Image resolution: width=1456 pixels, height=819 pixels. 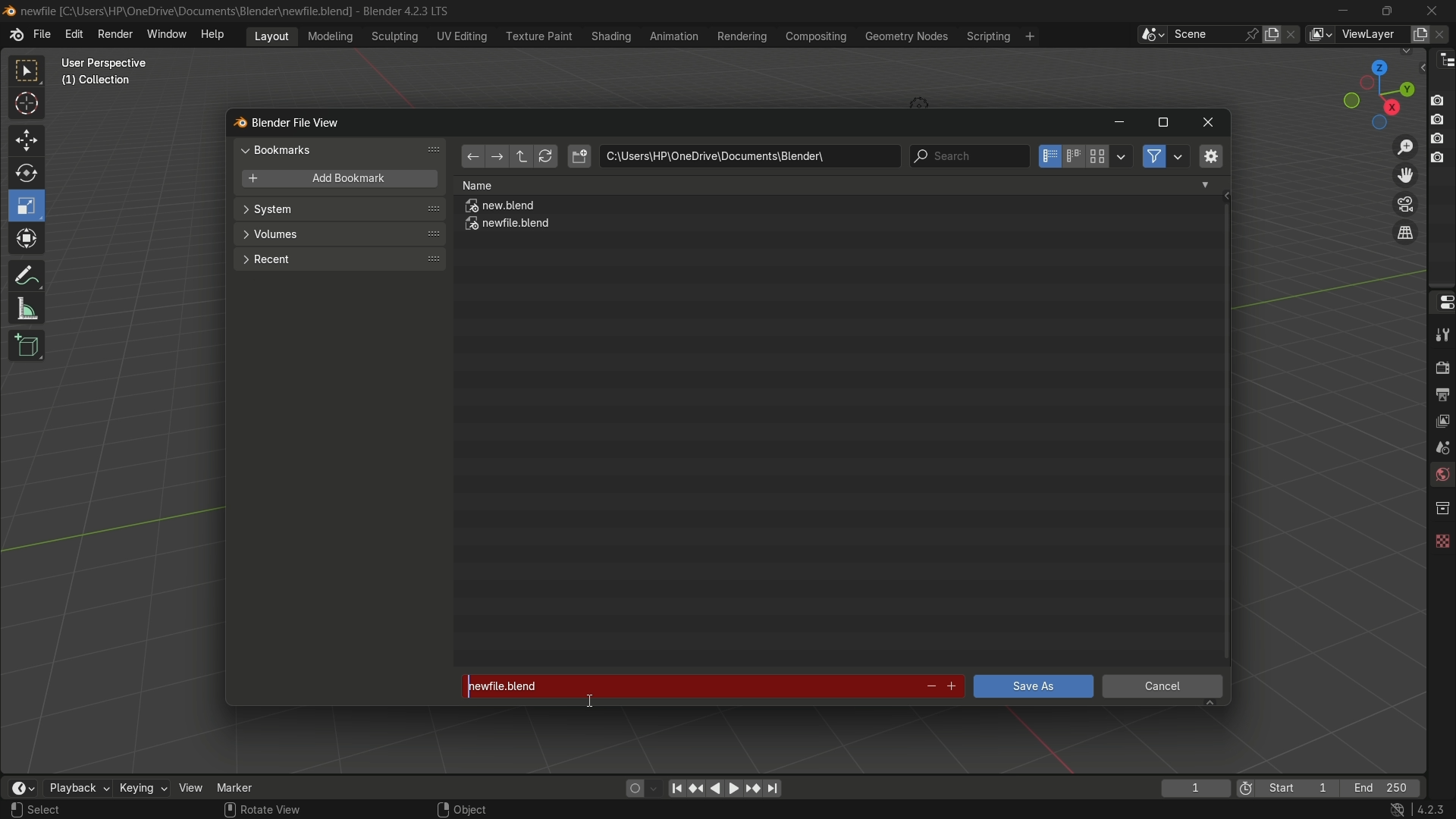 I want to click on delete scene, so click(x=1293, y=34).